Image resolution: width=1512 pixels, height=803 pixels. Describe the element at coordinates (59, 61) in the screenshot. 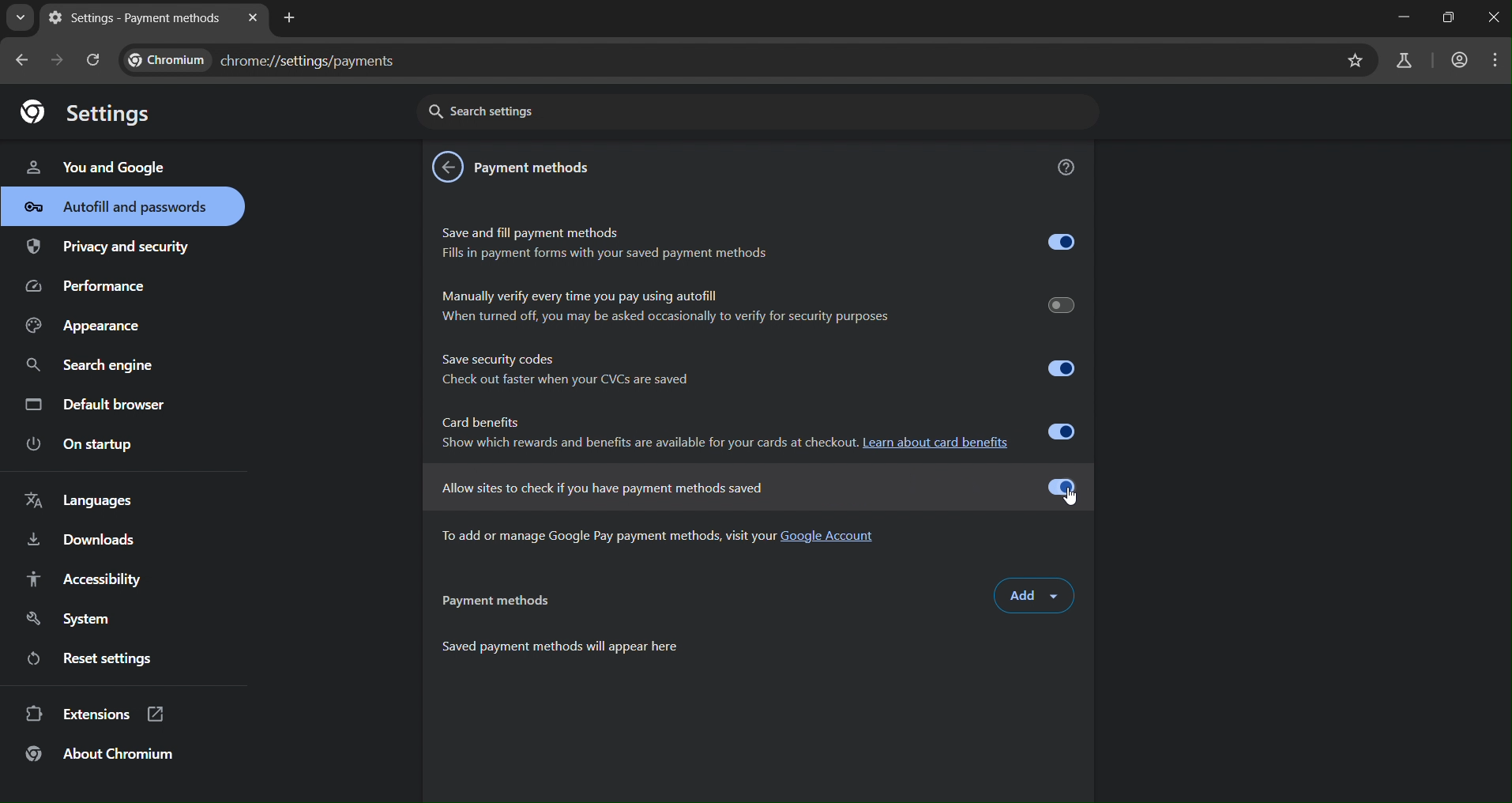

I see `go forward one page` at that location.